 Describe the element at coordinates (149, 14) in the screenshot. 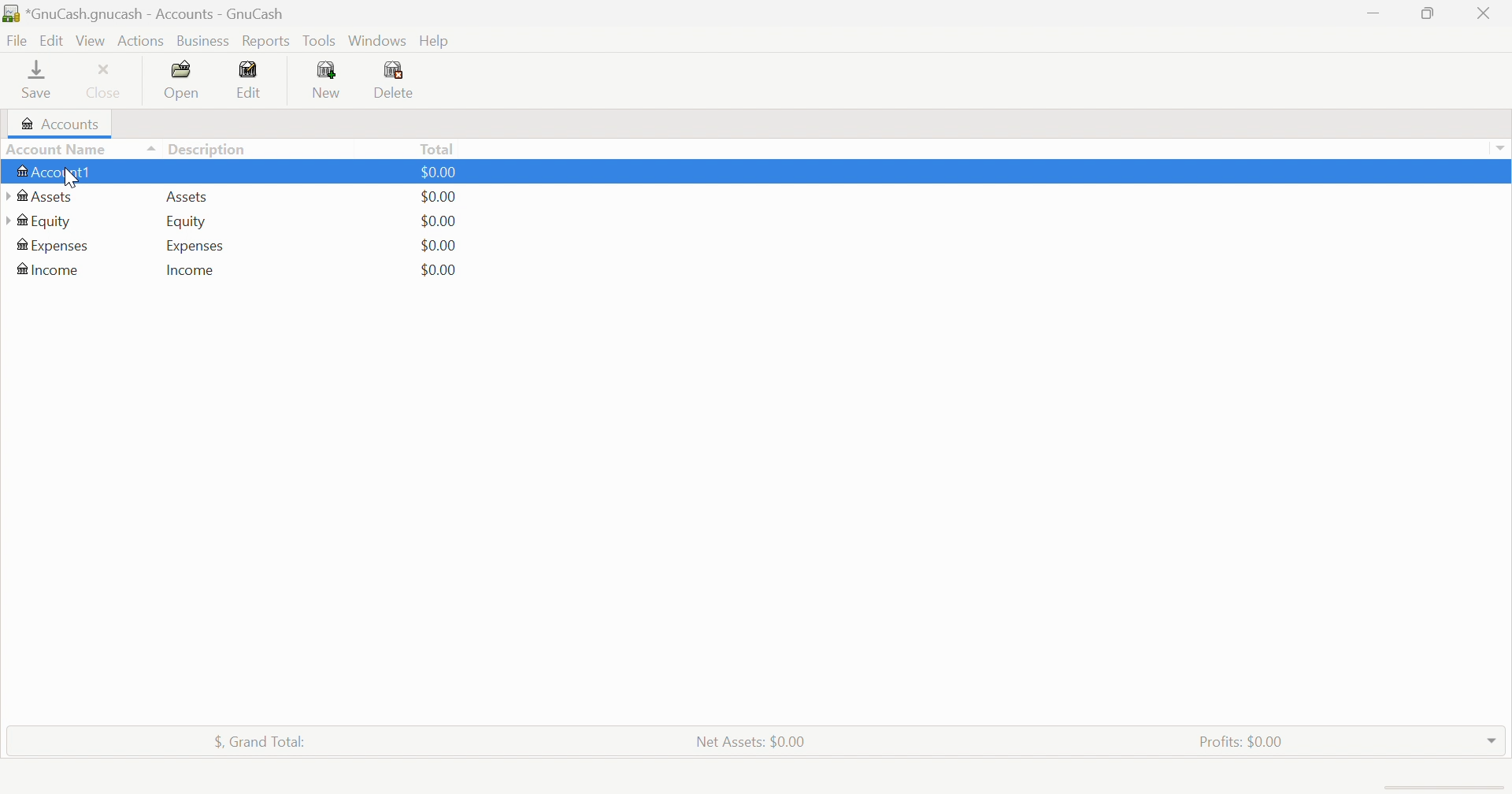

I see `*GnuCash.gnucash - Accounts - GnuCash` at that location.